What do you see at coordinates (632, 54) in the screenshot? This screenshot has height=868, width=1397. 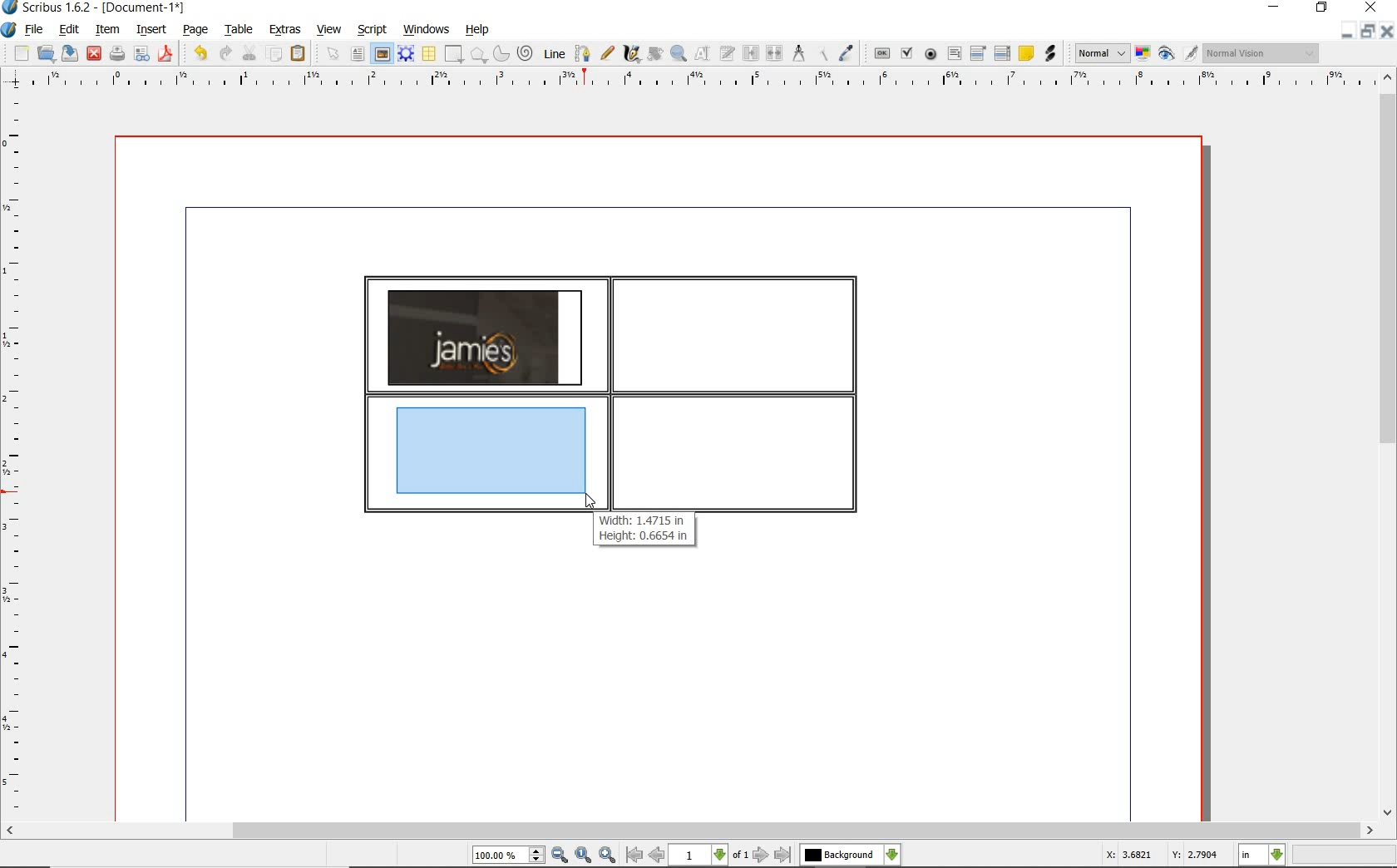 I see `calligraphic line` at bounding box center [632, 54].